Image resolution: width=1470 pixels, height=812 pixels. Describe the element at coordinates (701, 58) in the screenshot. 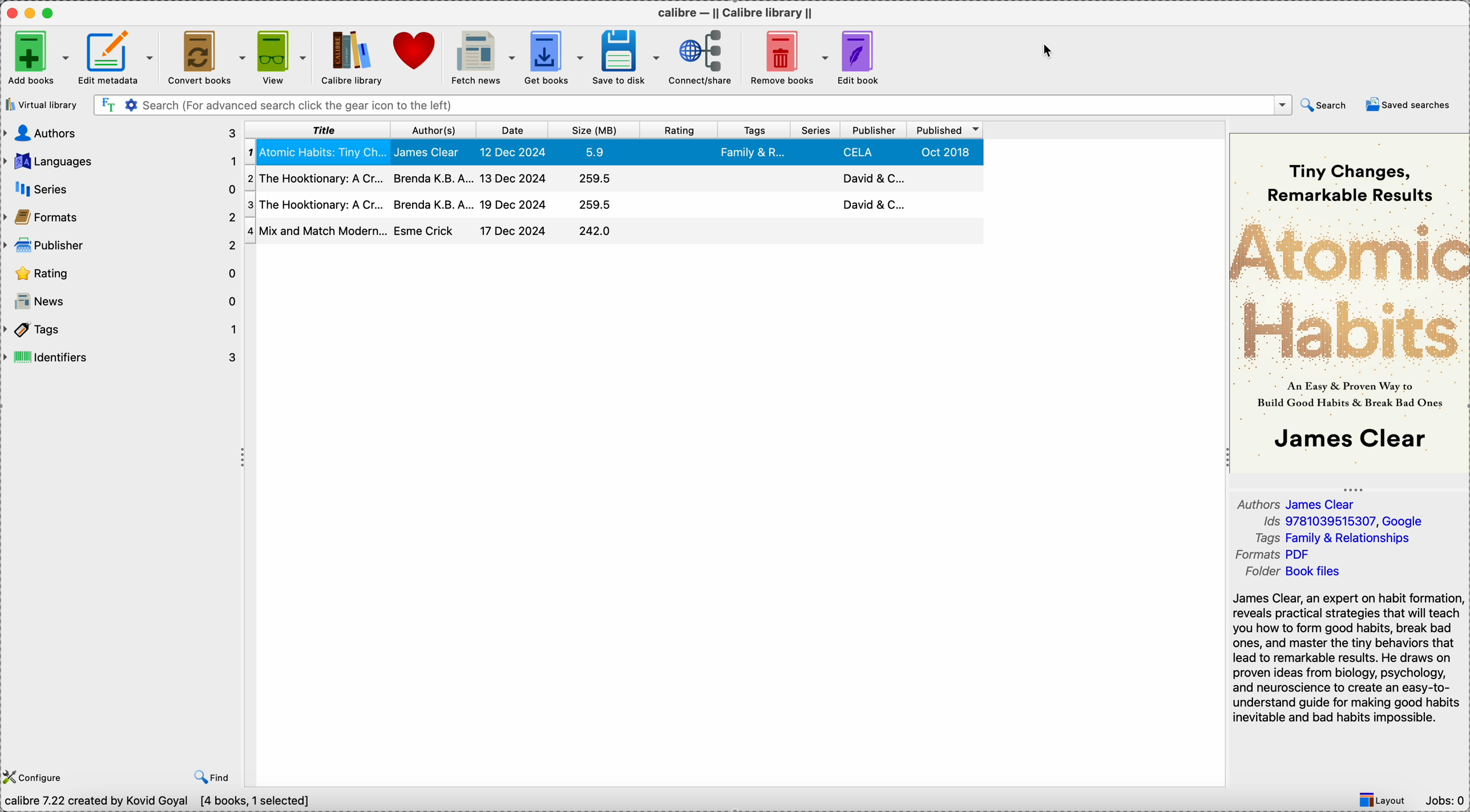

I see `connect/share` at that location.